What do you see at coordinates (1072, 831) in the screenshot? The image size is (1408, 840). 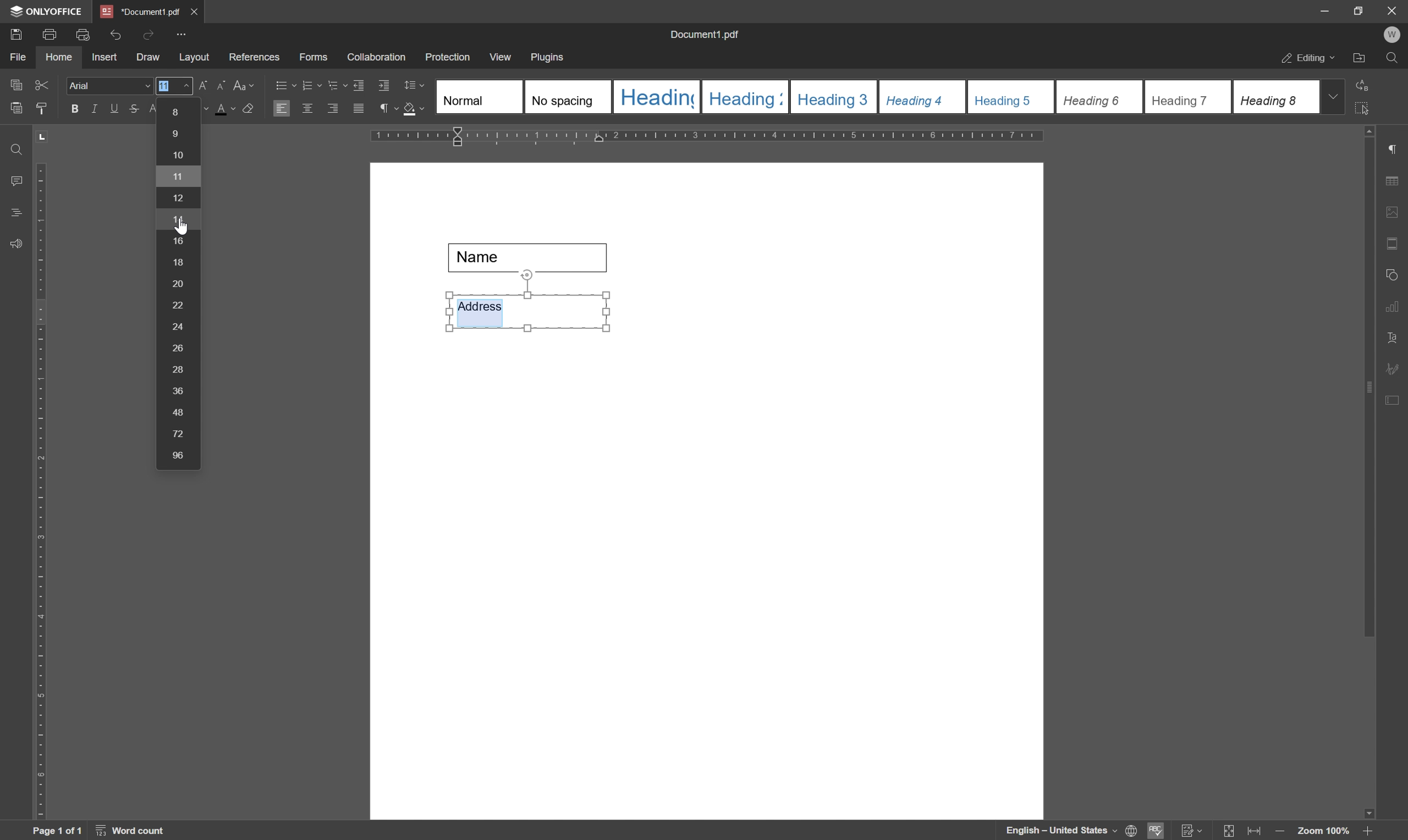 I see `English- united states` at bounding box center [1072, 831].